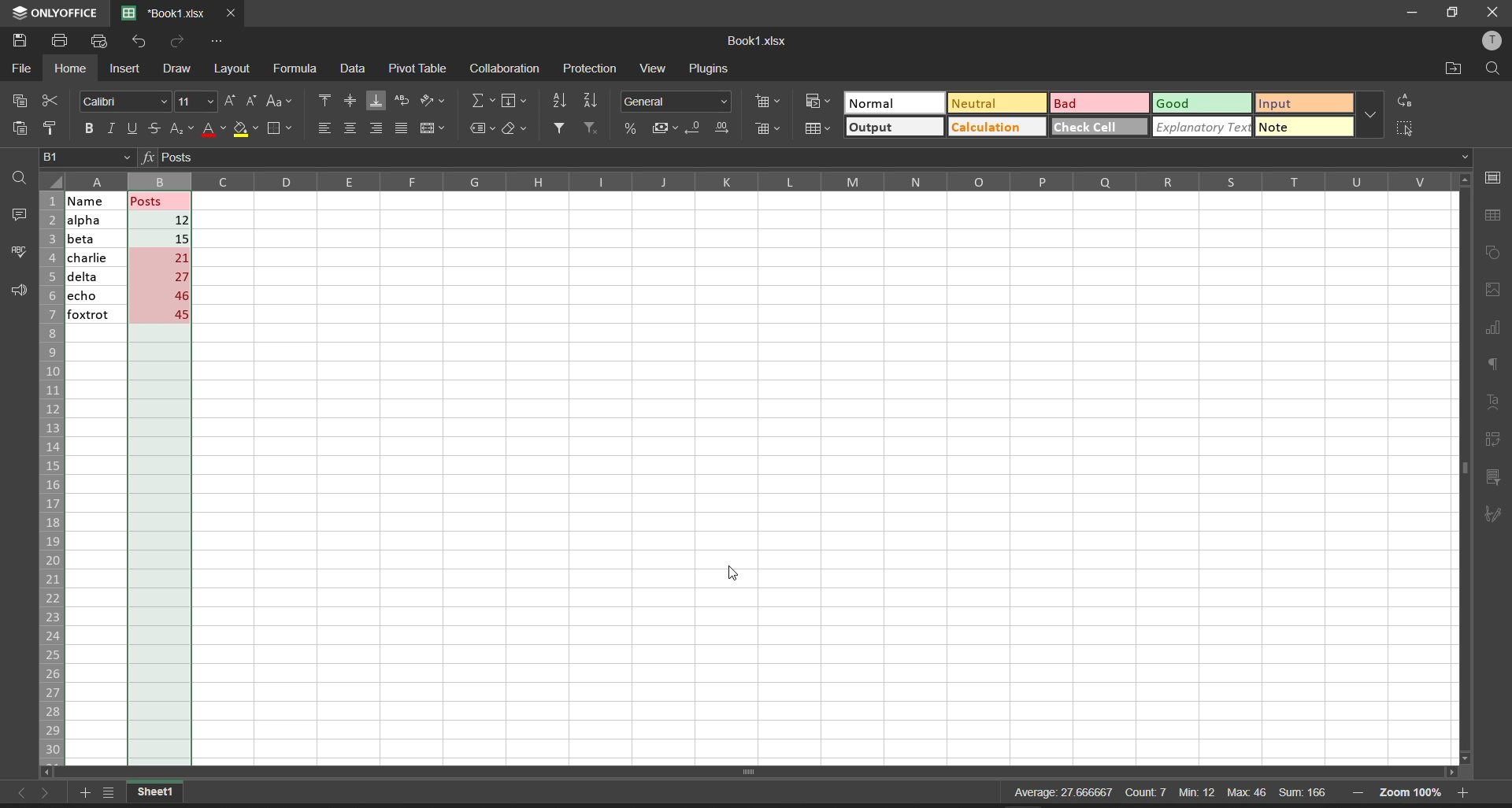 This screenshot has width=1512, height=808. What do you see at coordinates (514, 101) in the screenshot?
I see `fill` at bounding box center [514, 101].